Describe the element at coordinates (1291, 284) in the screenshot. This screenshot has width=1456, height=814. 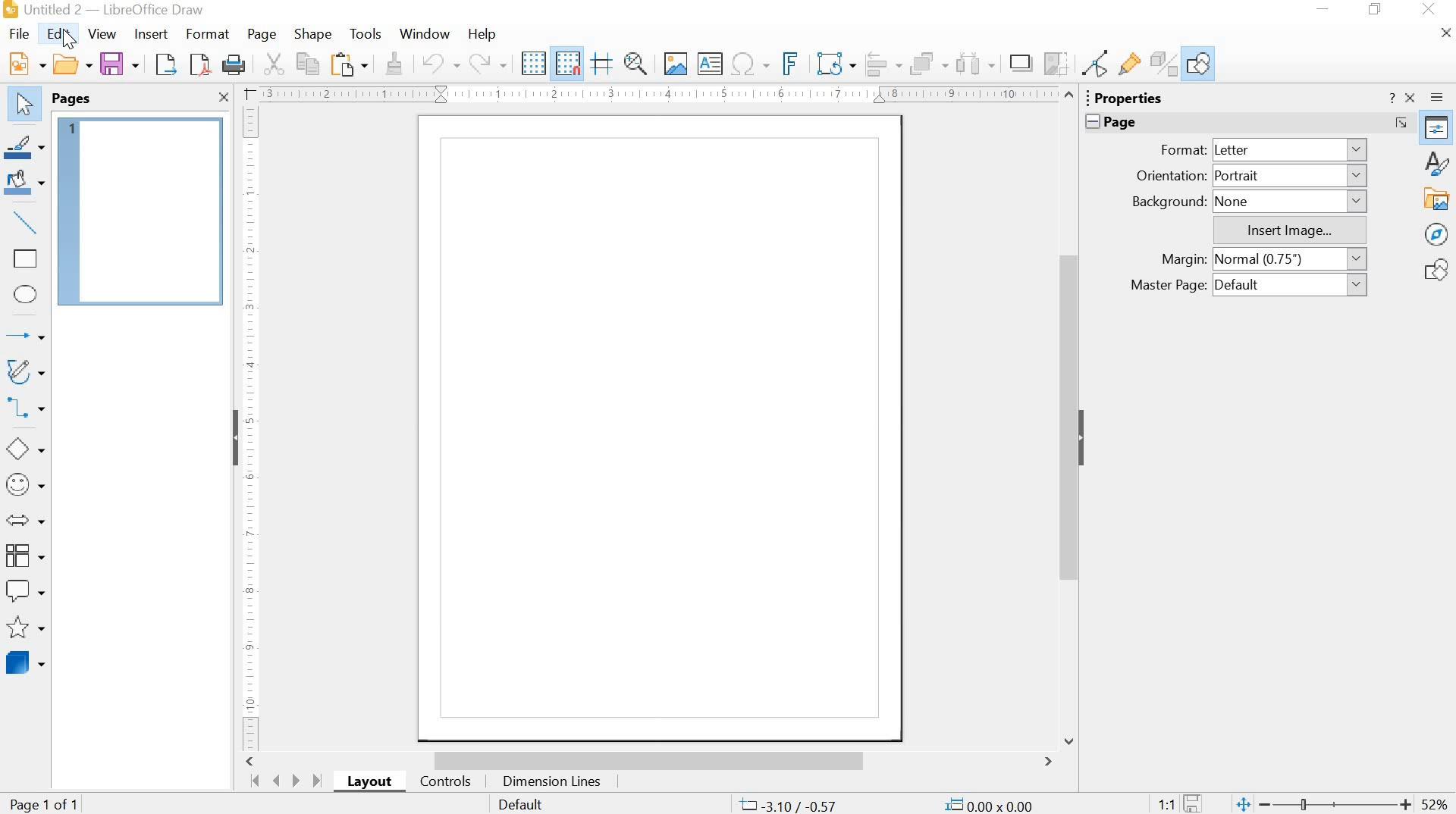
I see `Default` at that location.